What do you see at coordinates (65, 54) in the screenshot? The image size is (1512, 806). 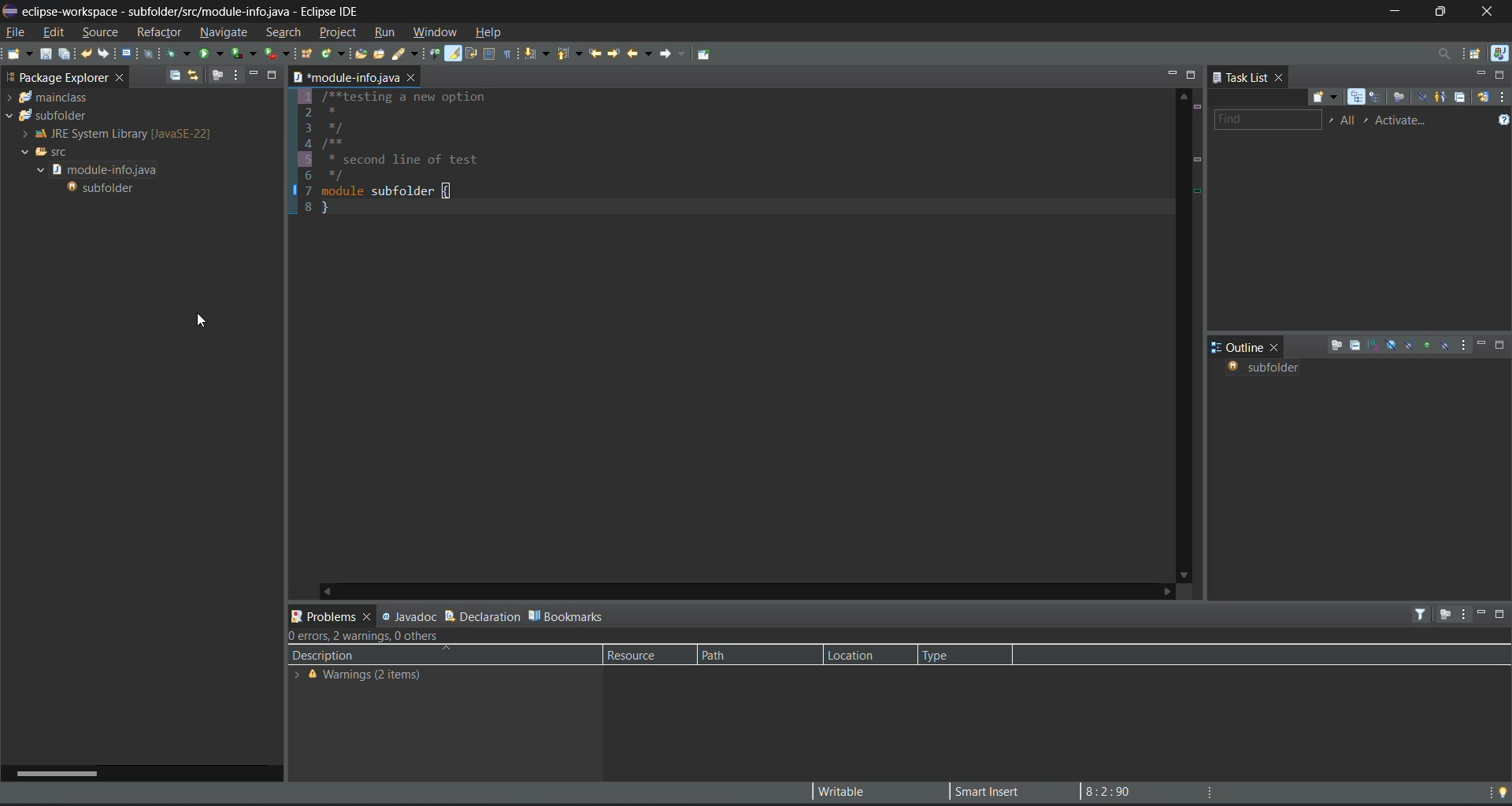 I see `save all` at bounding box center [65, 54].